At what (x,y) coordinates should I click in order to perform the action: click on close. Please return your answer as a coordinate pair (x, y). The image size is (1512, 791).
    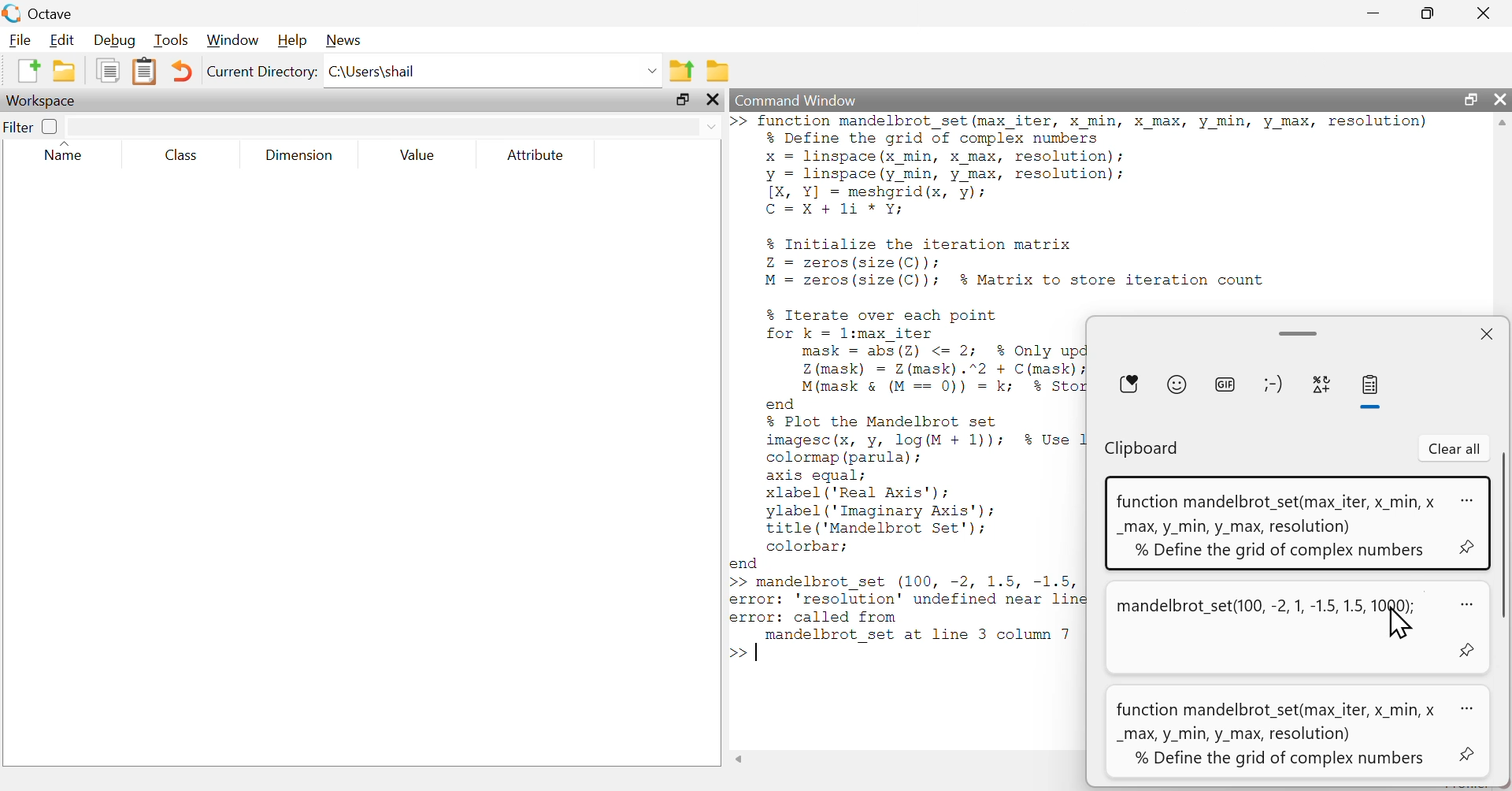
    Looking at the image, I should click on (713, 101).